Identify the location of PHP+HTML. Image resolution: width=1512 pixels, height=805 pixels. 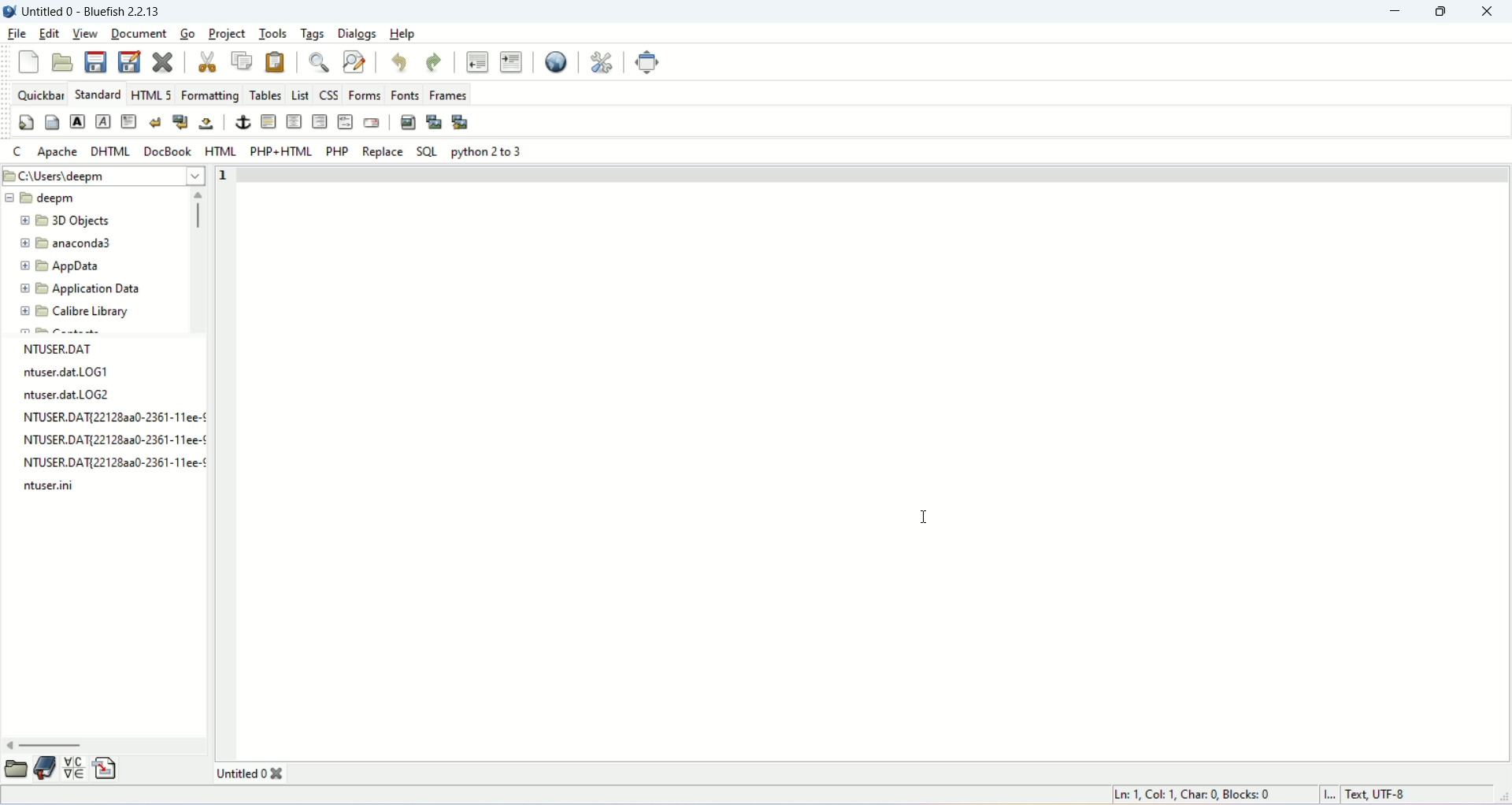
(281, 150).